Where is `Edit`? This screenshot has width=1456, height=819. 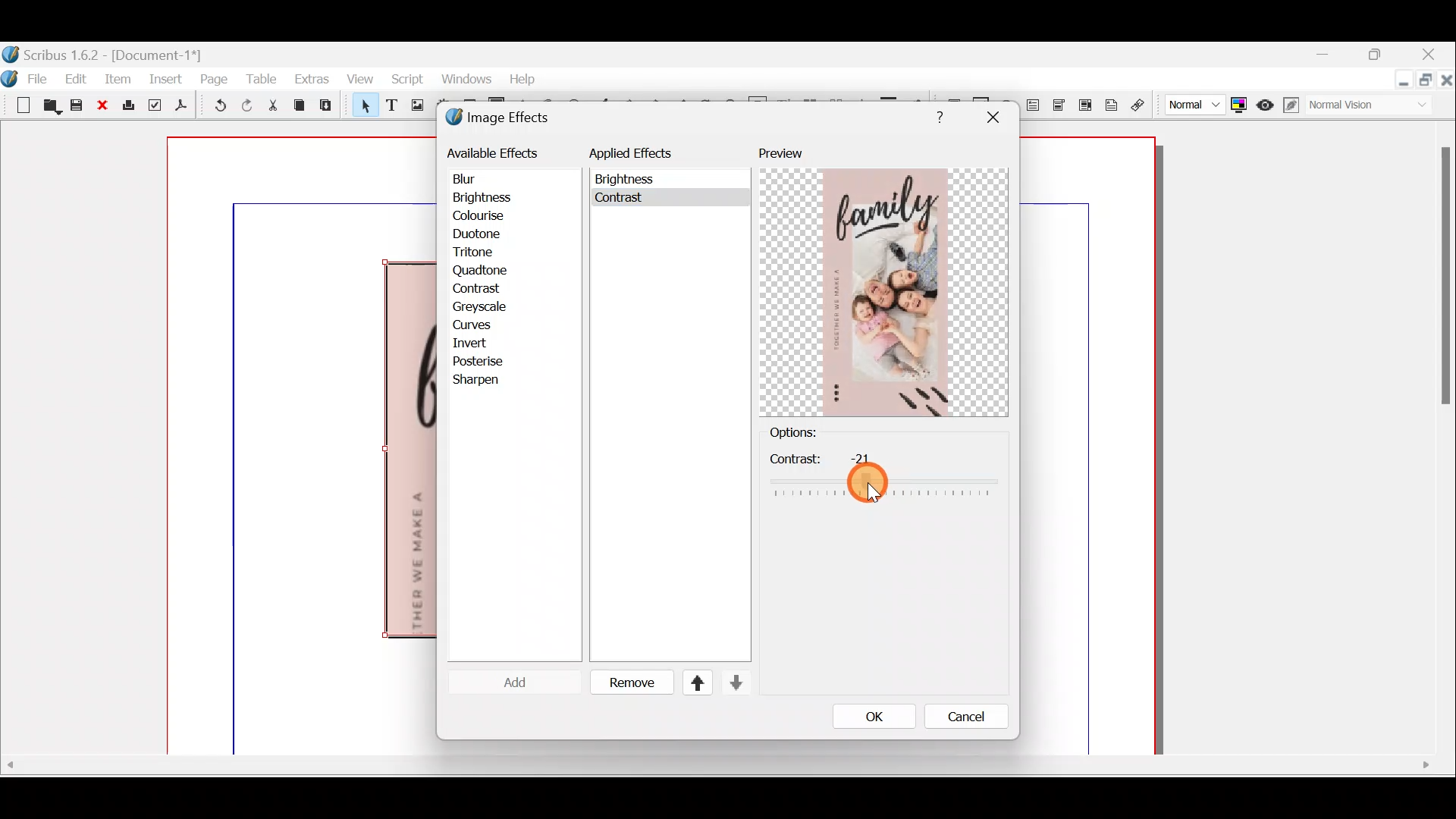 Edit is located at coordinates (78, 78).